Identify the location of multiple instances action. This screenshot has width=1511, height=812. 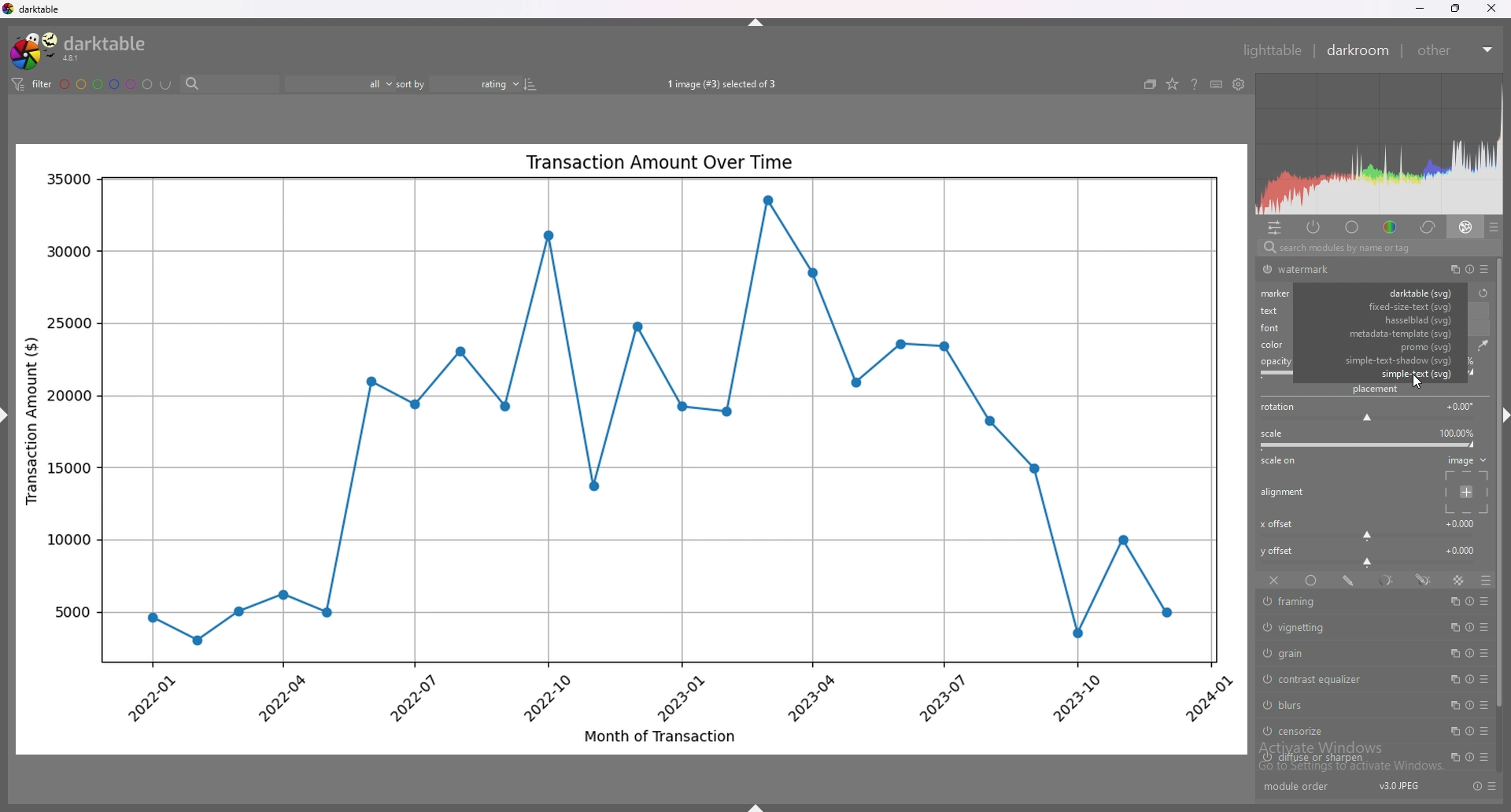
(1454, 600).